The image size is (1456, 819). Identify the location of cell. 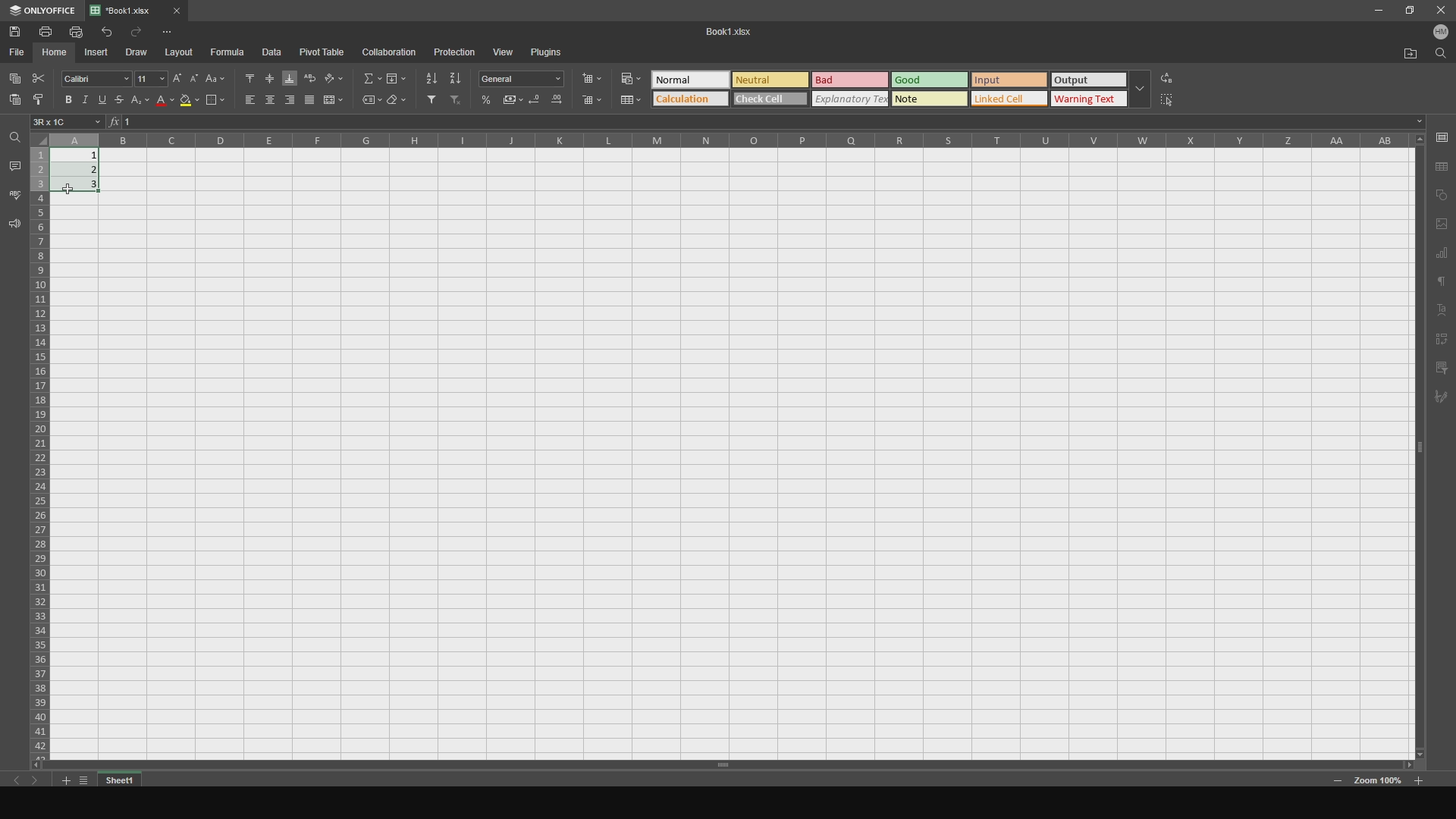
(67, 121).